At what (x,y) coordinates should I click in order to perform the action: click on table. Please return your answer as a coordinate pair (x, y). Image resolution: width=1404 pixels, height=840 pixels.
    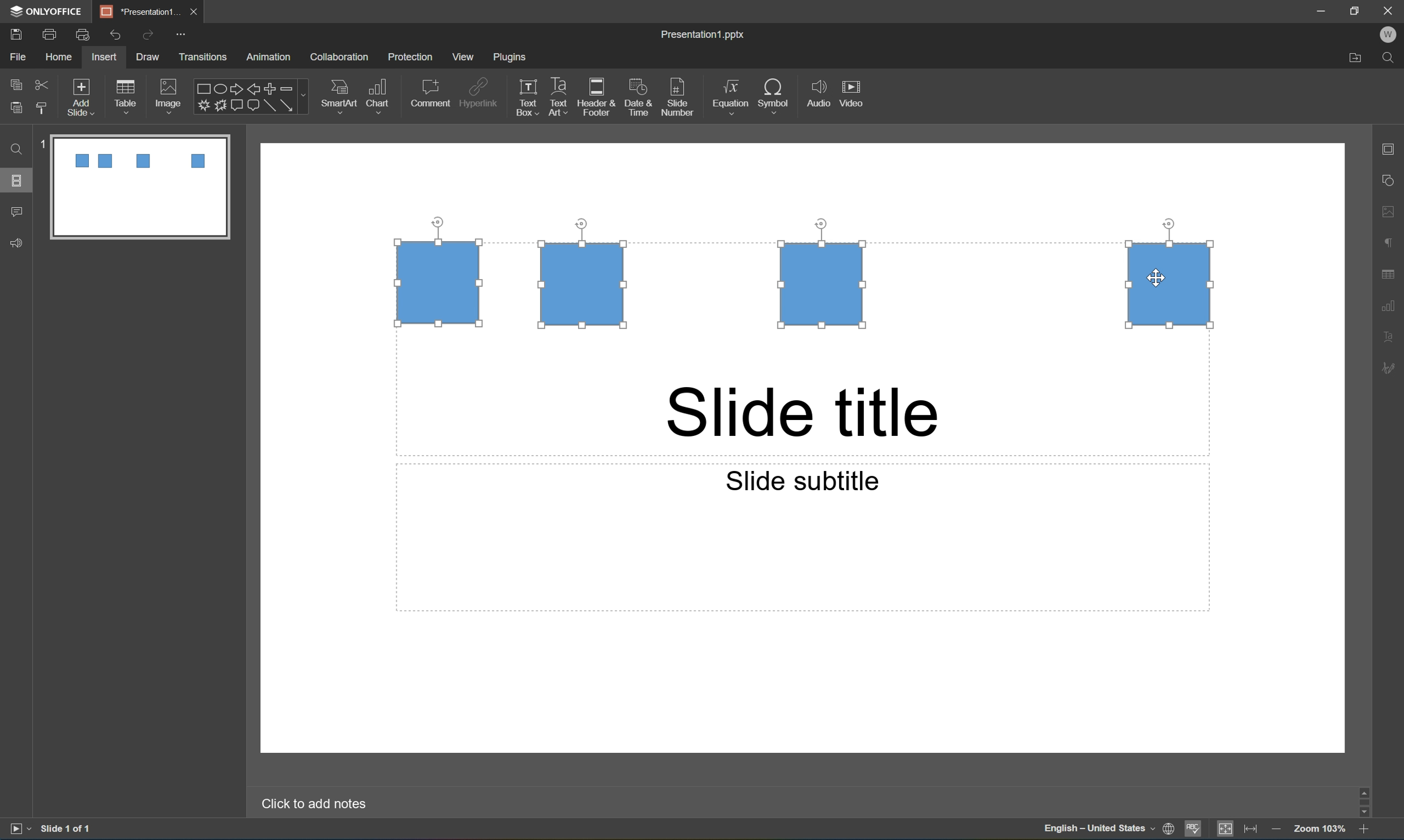
    Looking at the image, I should click on (130, 93).